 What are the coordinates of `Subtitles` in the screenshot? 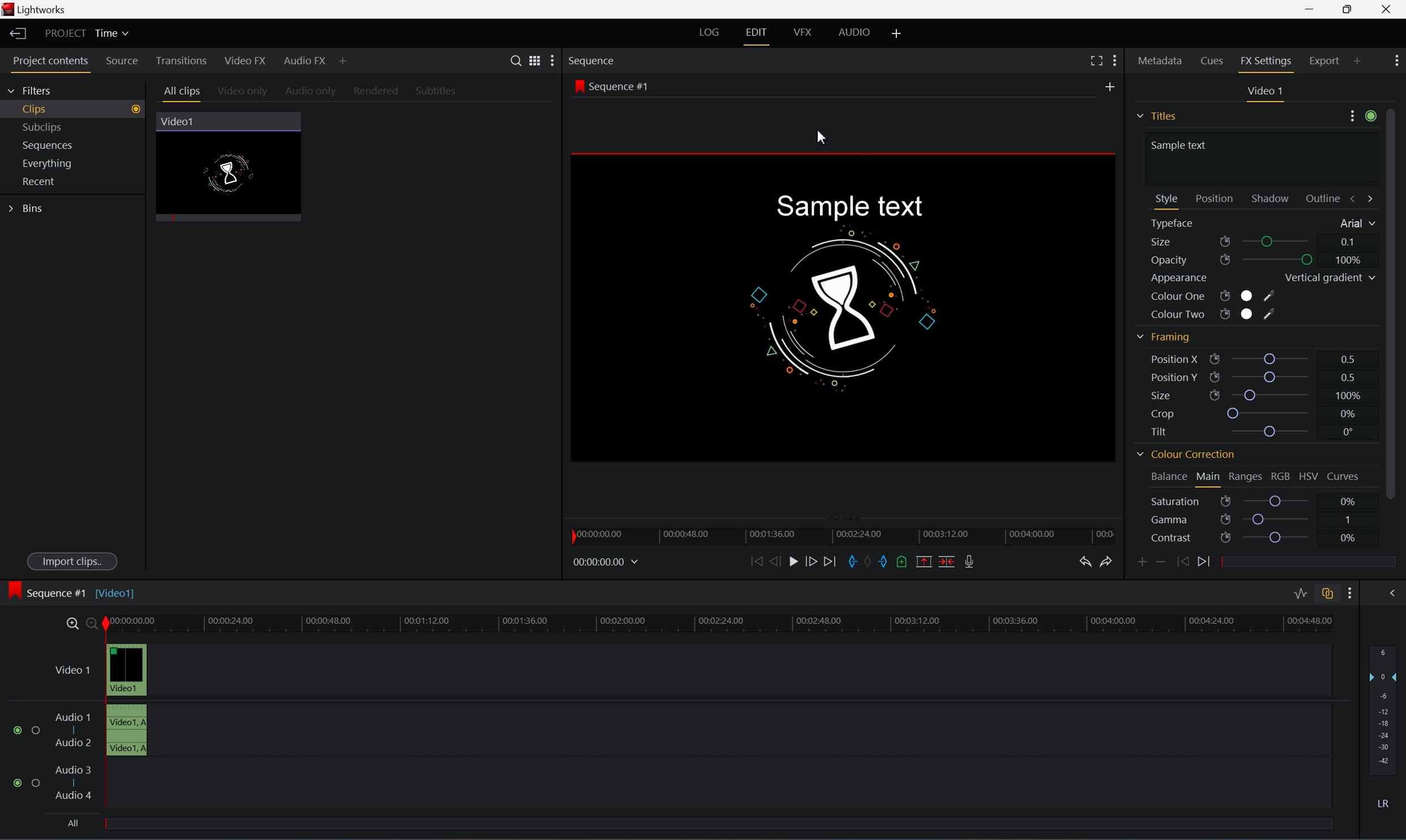 It's located at (437, 91).